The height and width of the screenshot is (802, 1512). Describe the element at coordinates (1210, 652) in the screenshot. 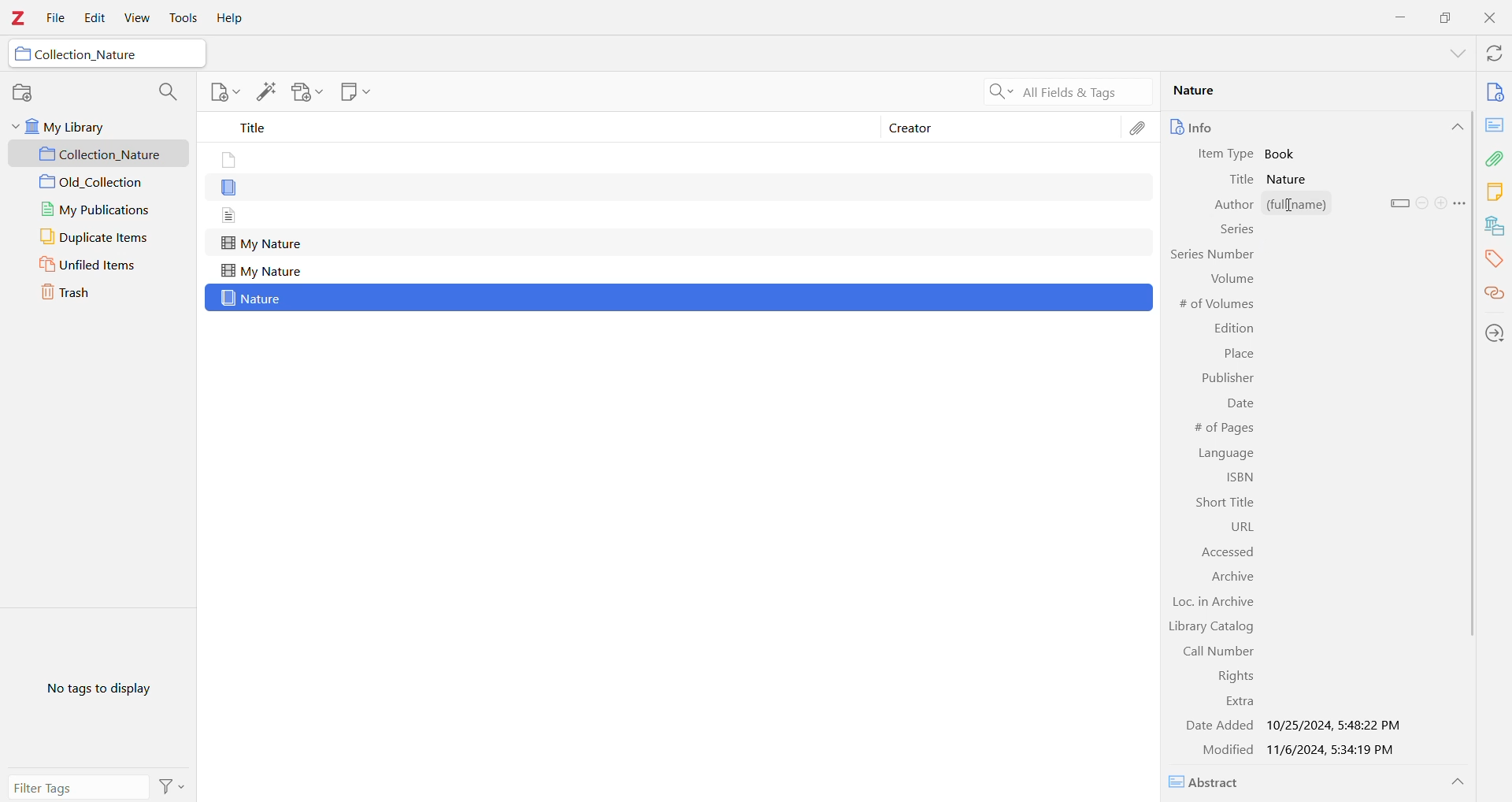

I see `Cal Number` at that location.